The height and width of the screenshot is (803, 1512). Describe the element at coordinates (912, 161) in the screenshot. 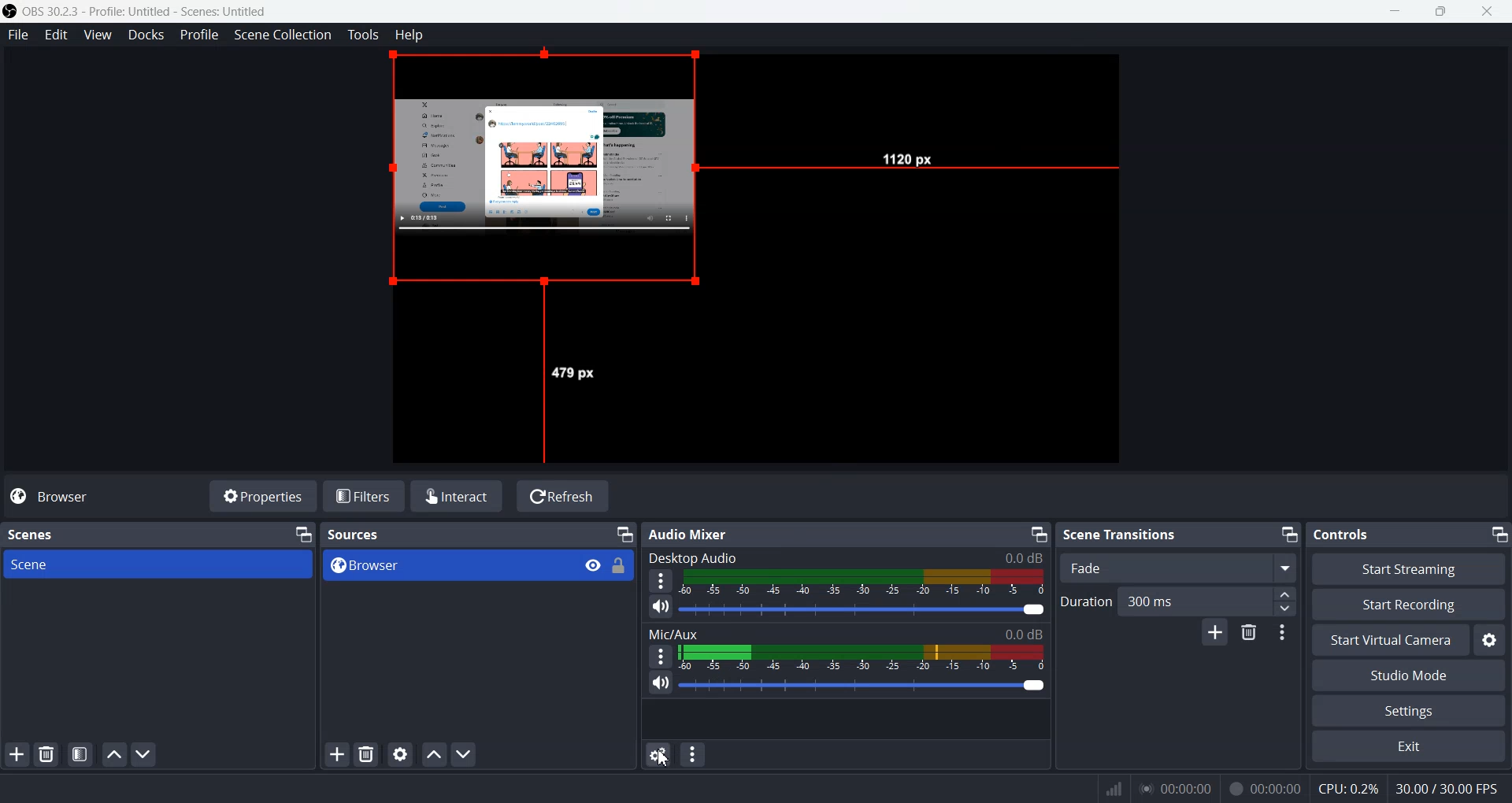

I see `1120 px` at that location.